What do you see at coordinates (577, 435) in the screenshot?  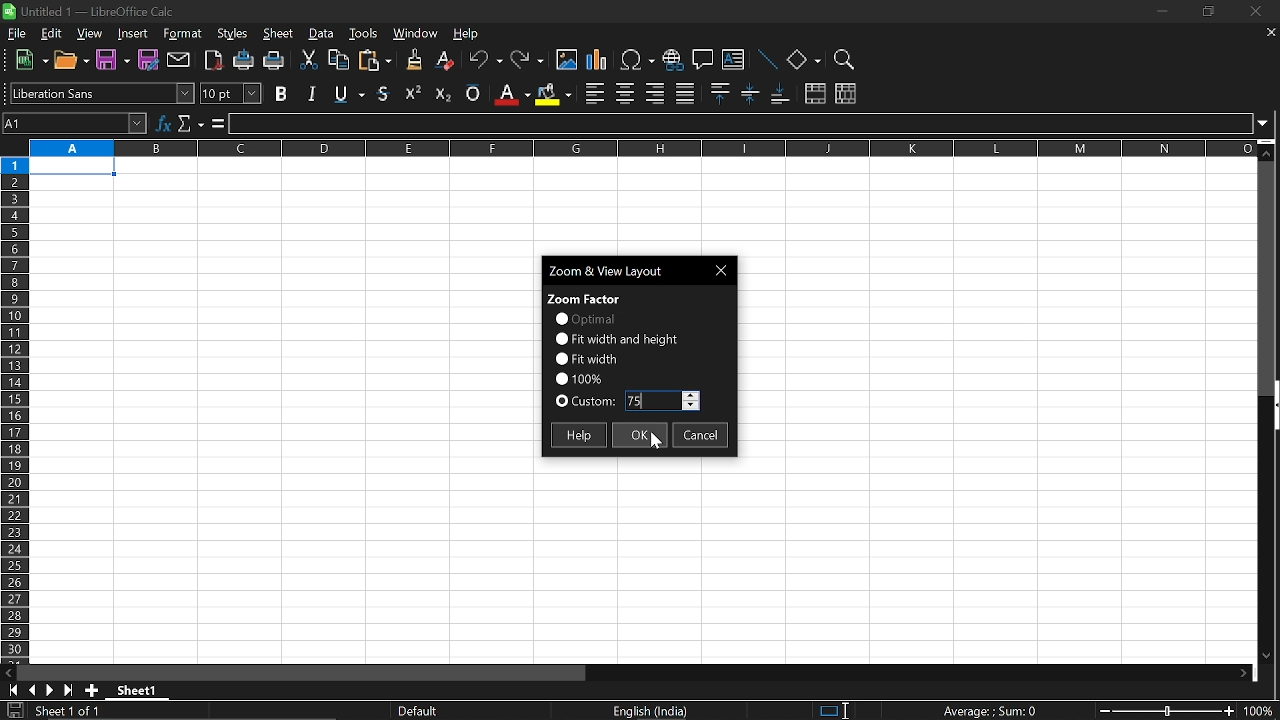 I see `help` at bounding box center [577, 435].